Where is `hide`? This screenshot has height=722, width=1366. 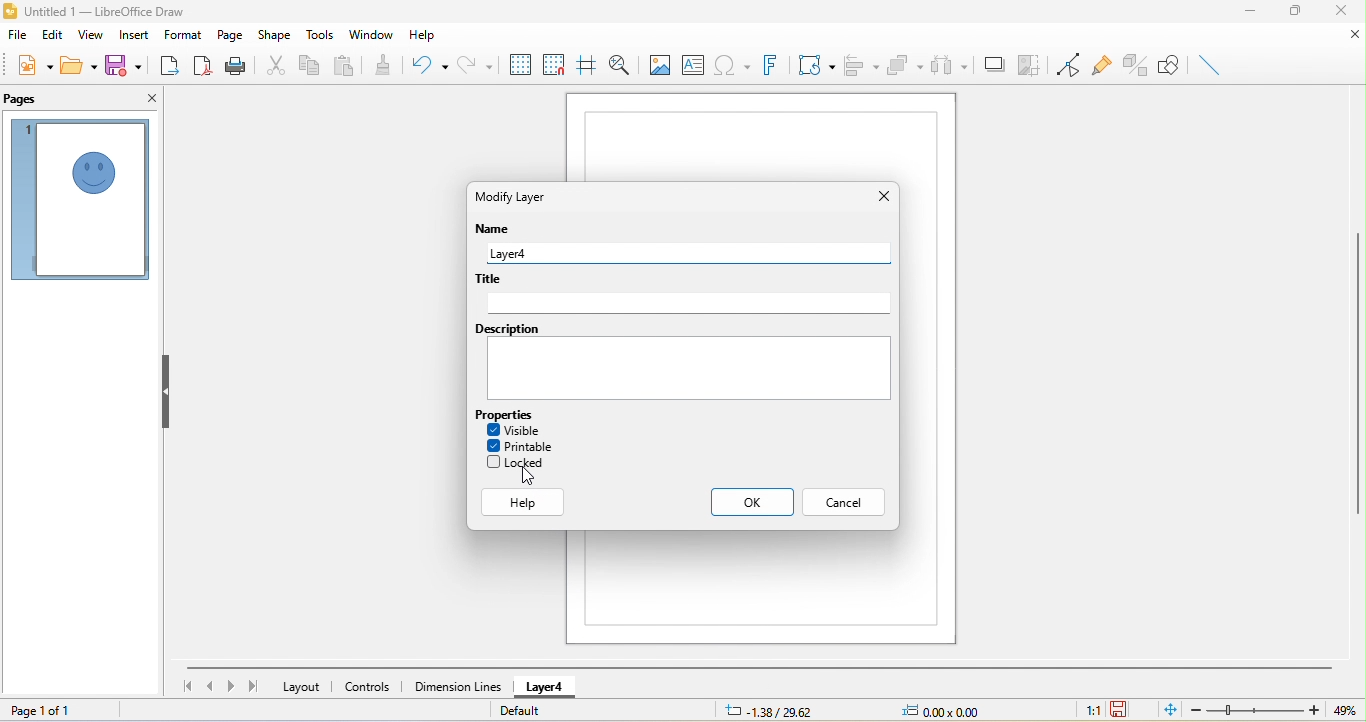 hide is located at coordinates (168, 393).